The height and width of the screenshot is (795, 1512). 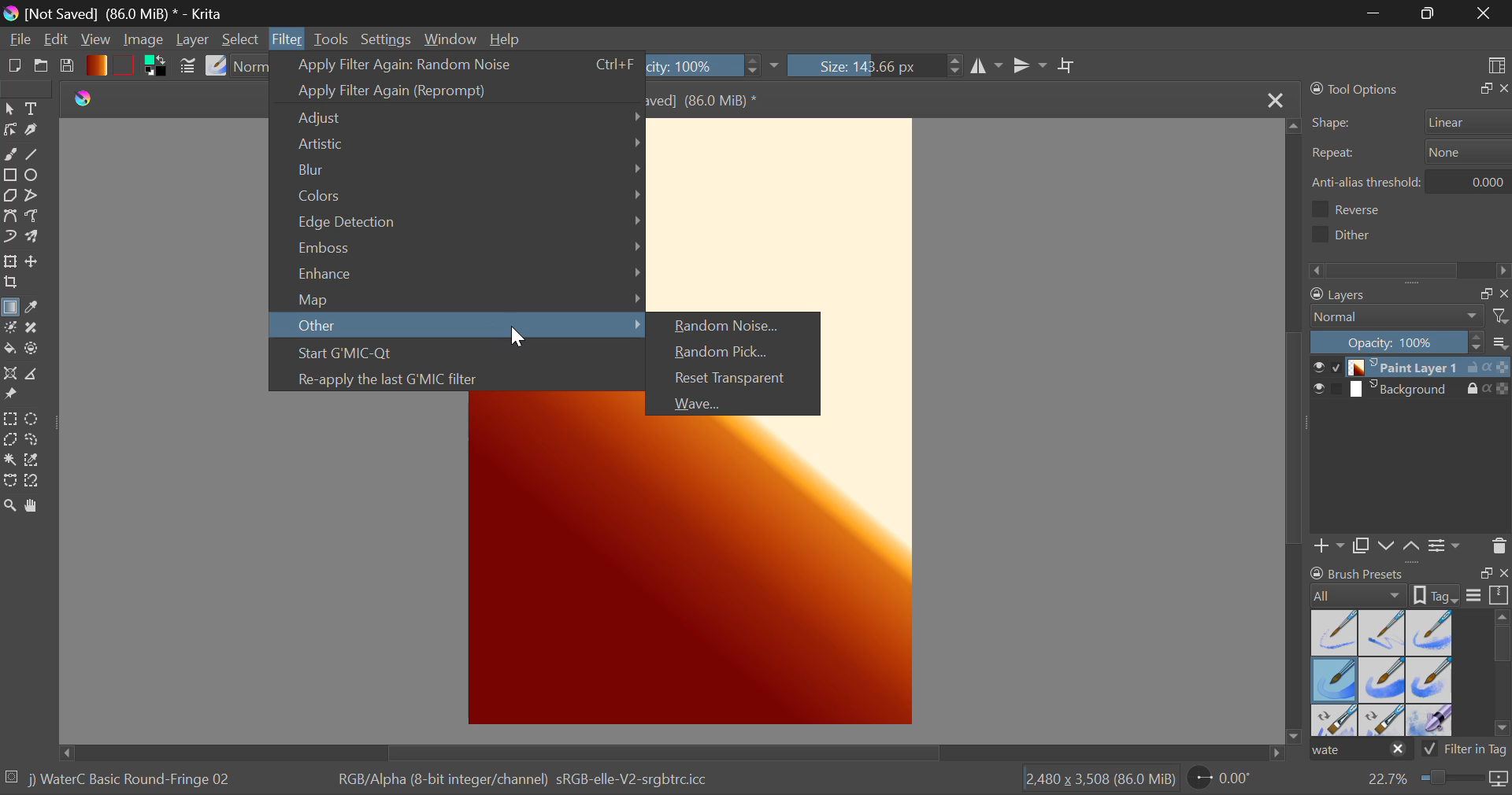 I want to click on Save, so click(x=68, y=66).